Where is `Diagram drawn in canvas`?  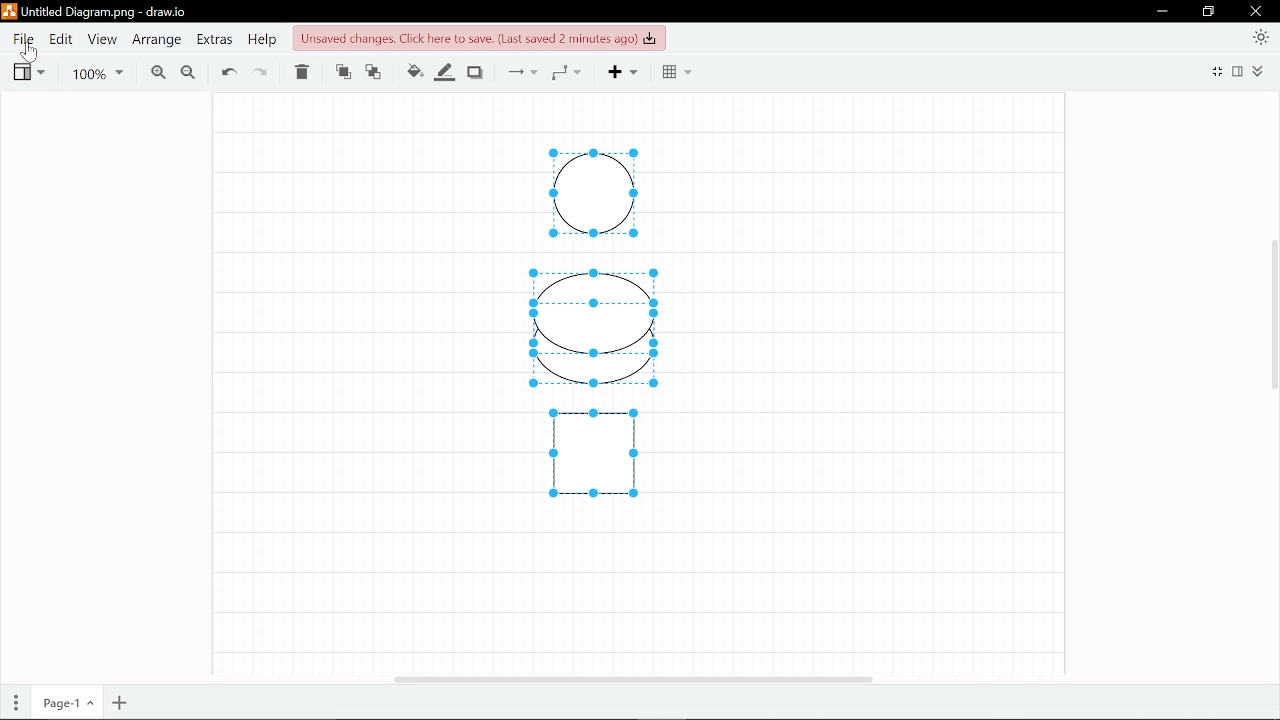 Diagram drawn in canvas is located at coordinates (602, 332).